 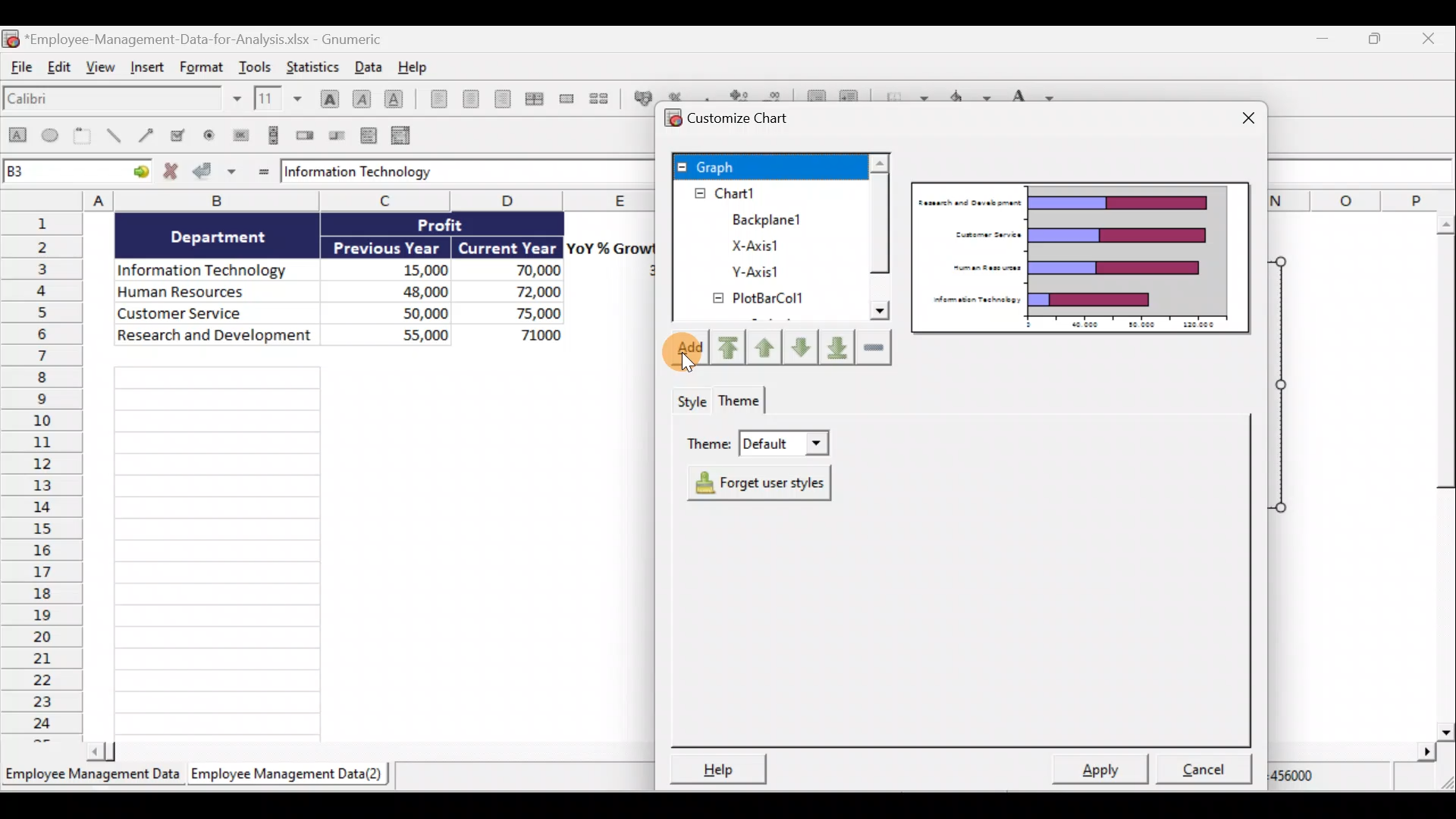 I want to click on Create a rectangle object, so click(x=17, y=139).